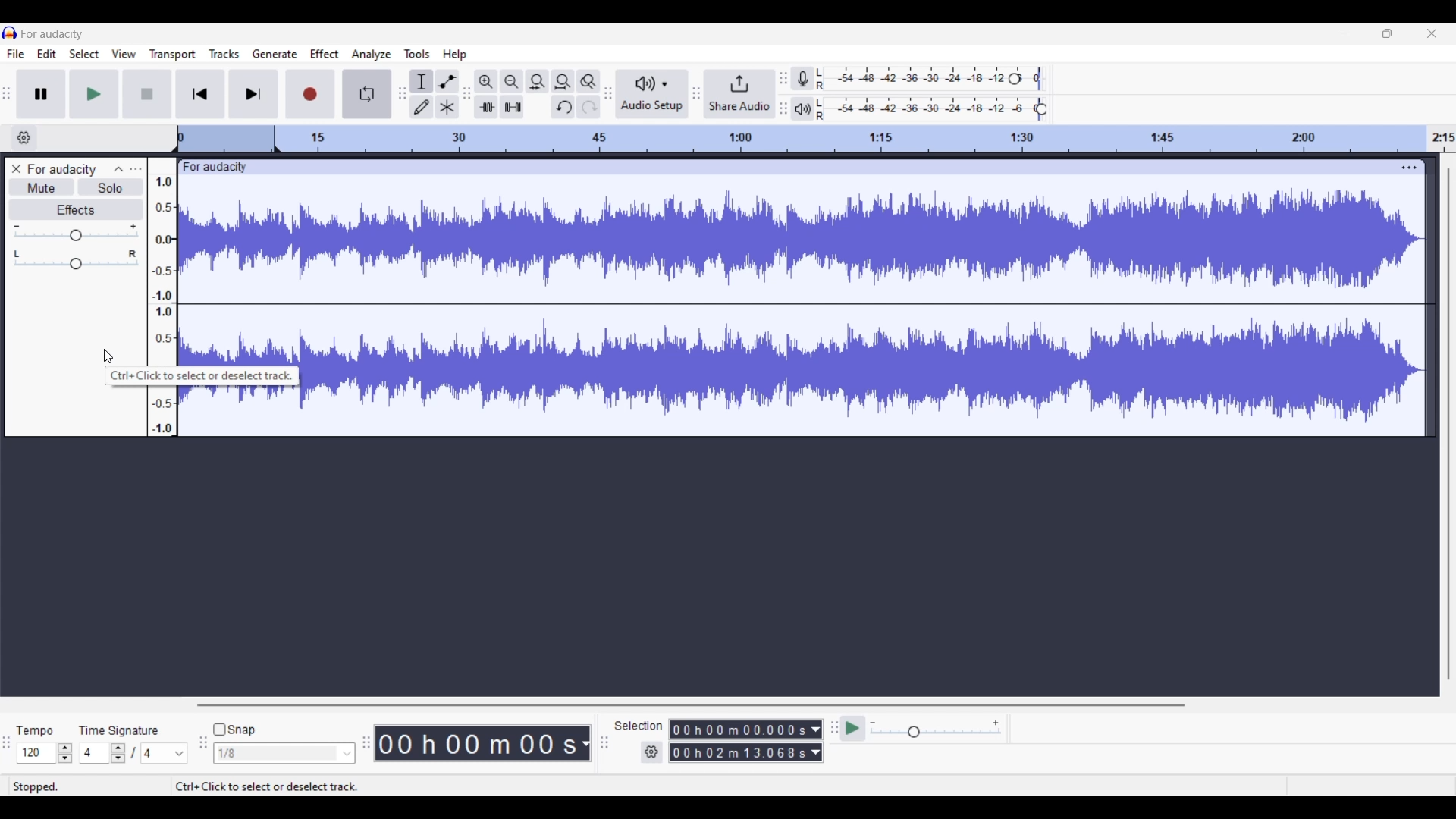 The image size is (1456, 819). I want to click on Max. gain, so click(133, 227).